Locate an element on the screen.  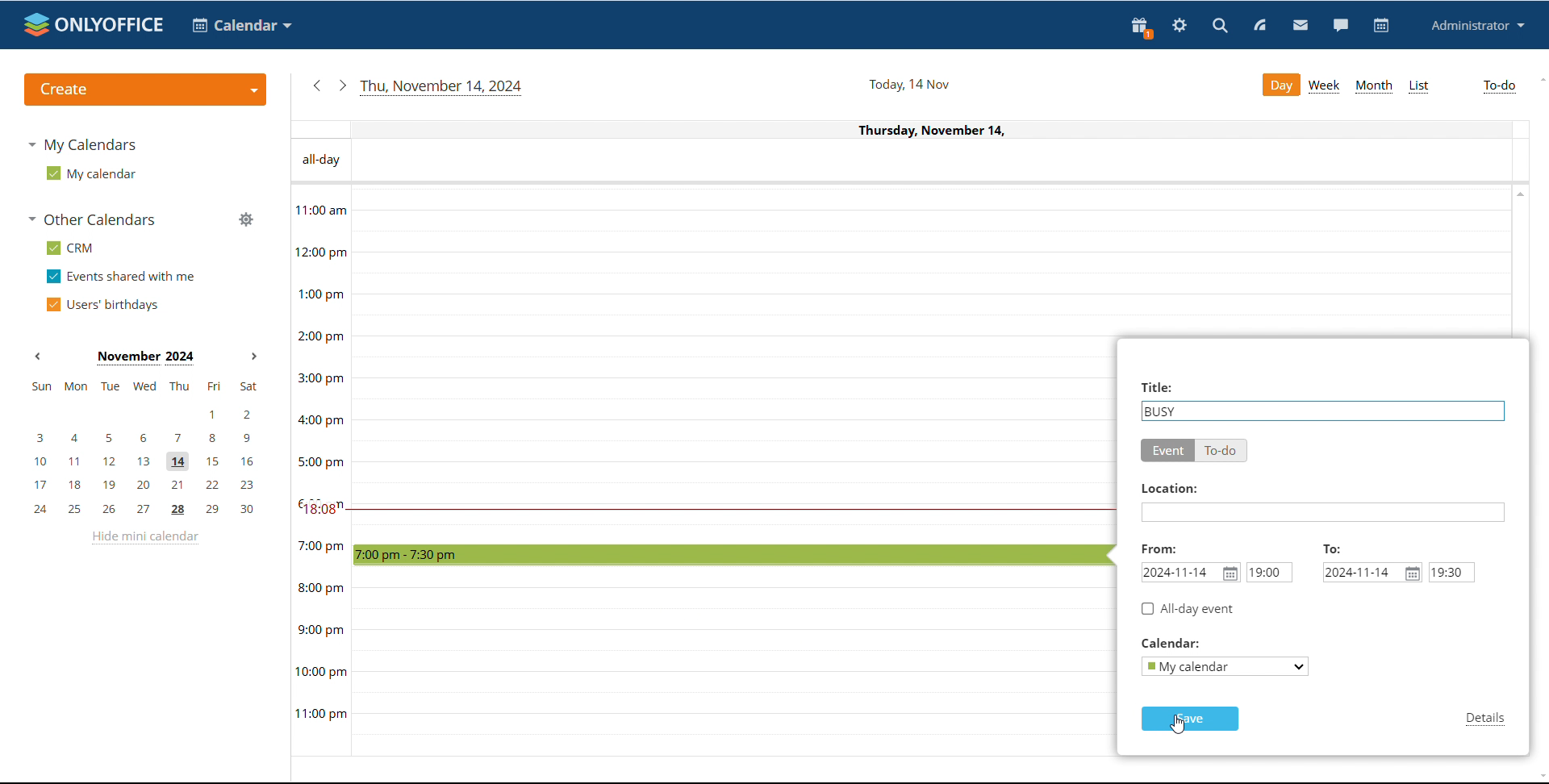
select application is located at coordinates (242, 26).